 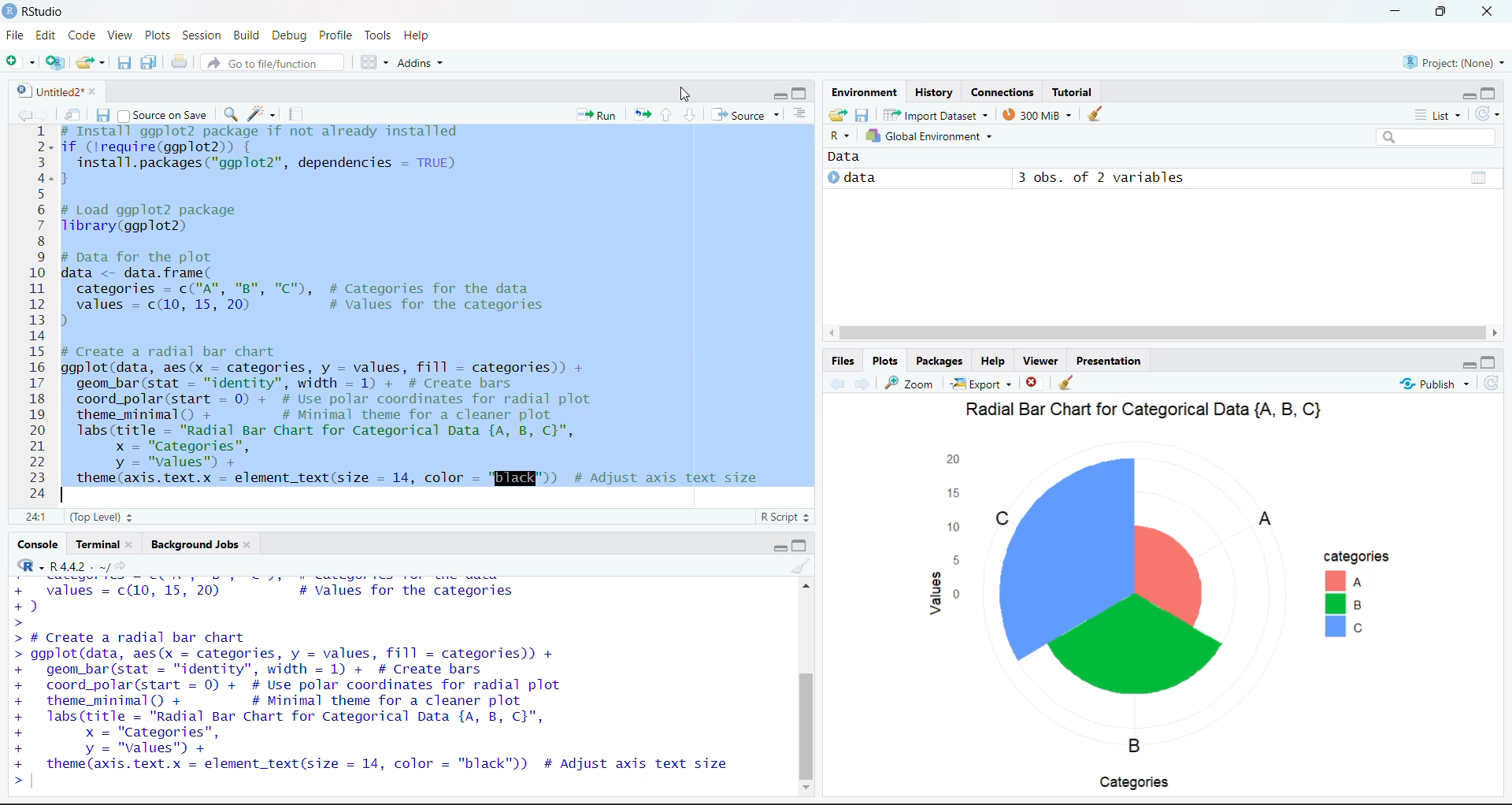 What do you see at coordinates (1490, 384) in the screenshot?
I see `refresh` at bounding box center [1490, 384].